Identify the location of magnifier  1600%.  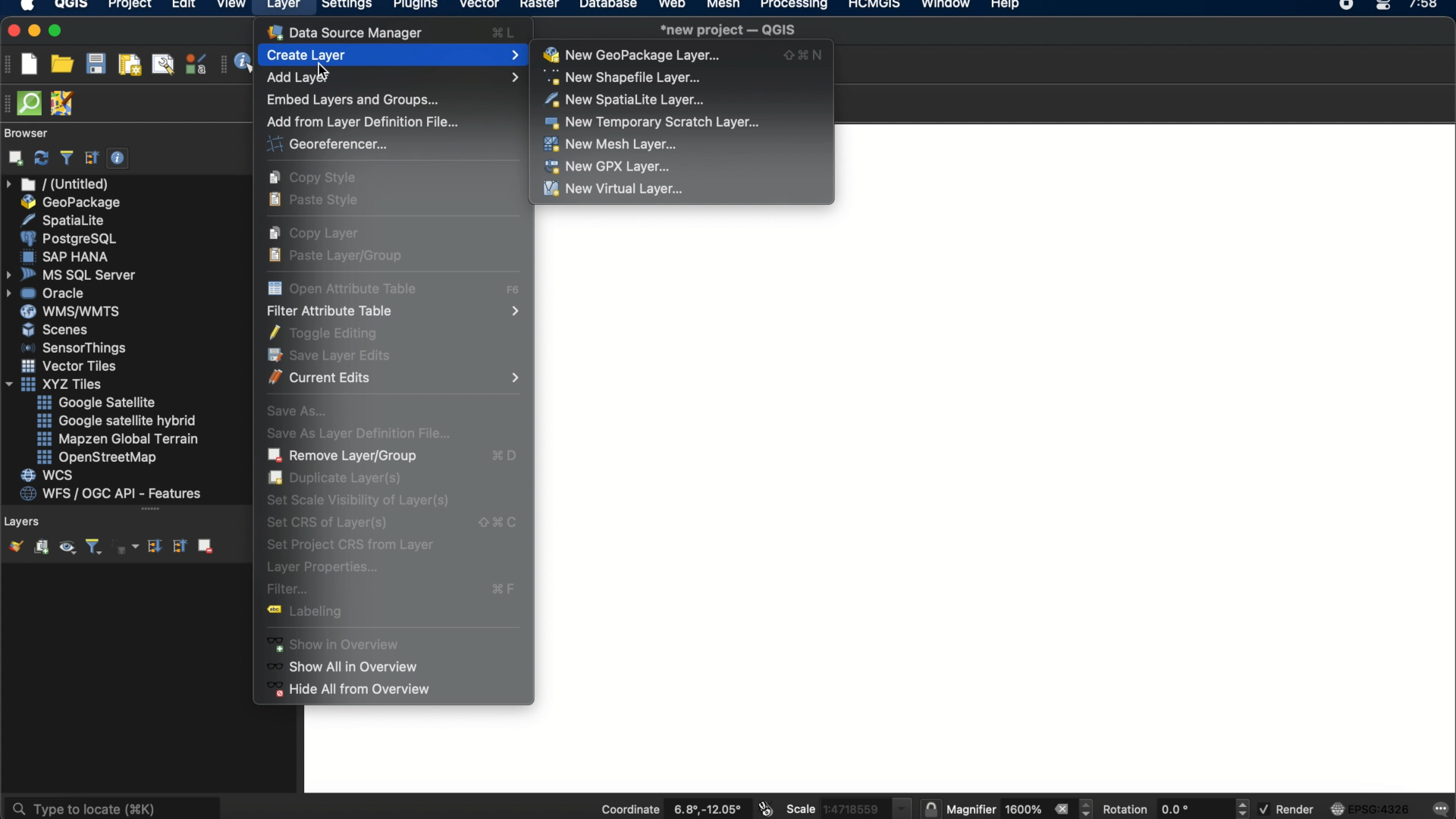
(1021, 808).